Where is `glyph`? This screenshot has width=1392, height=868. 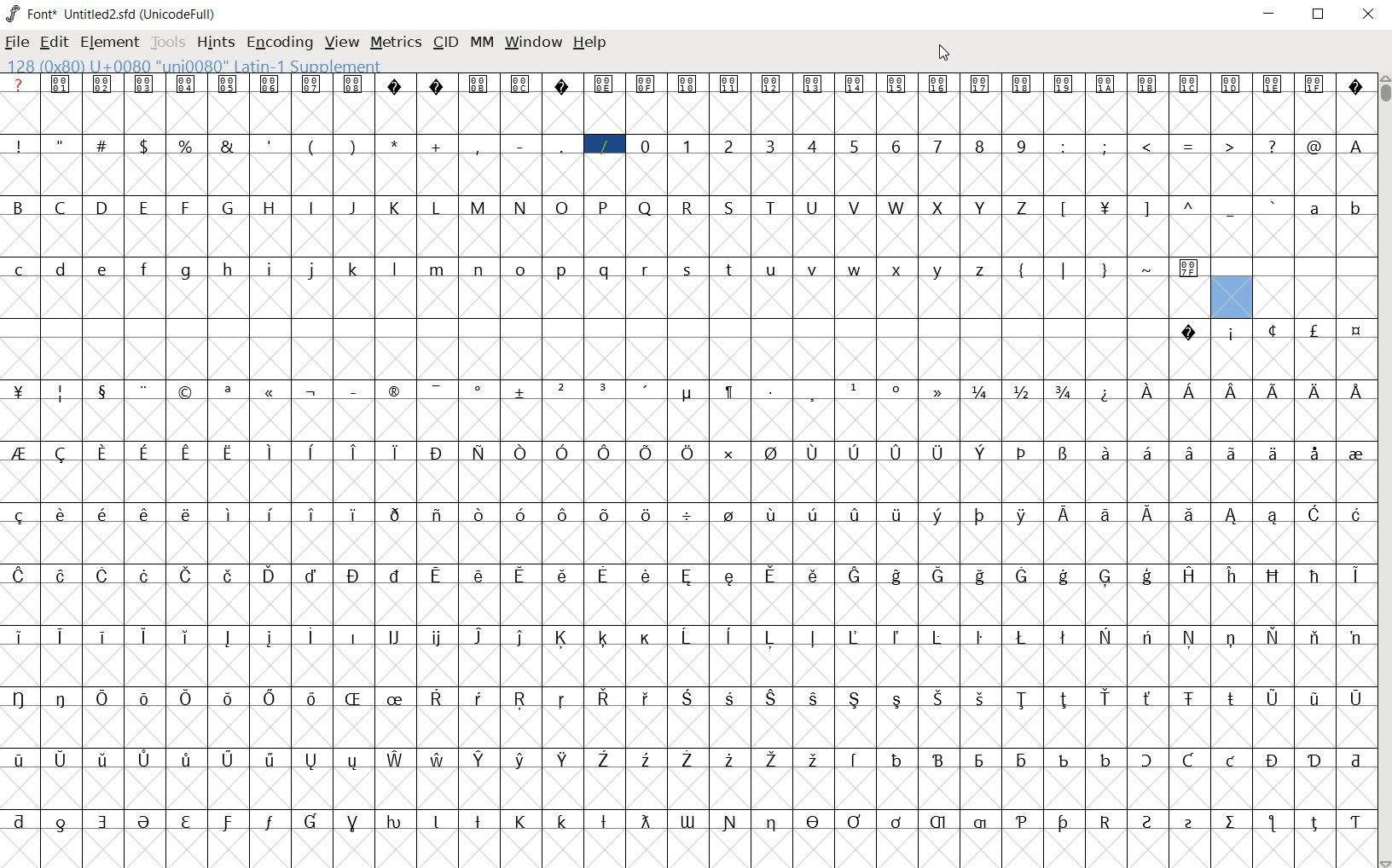
glyph is located at coordinates (686, 697).